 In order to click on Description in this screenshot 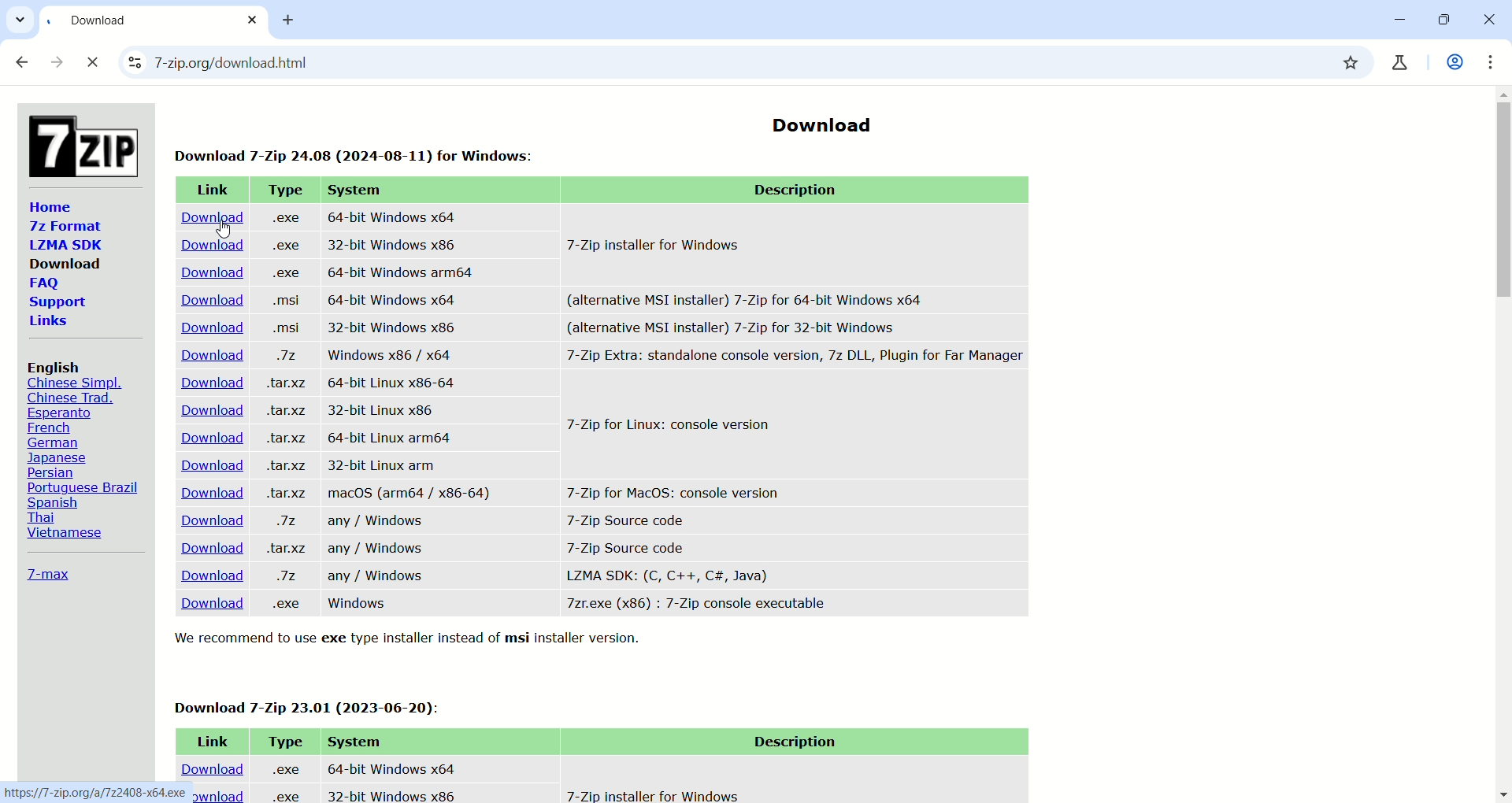, I will do `click(791, 742)`.